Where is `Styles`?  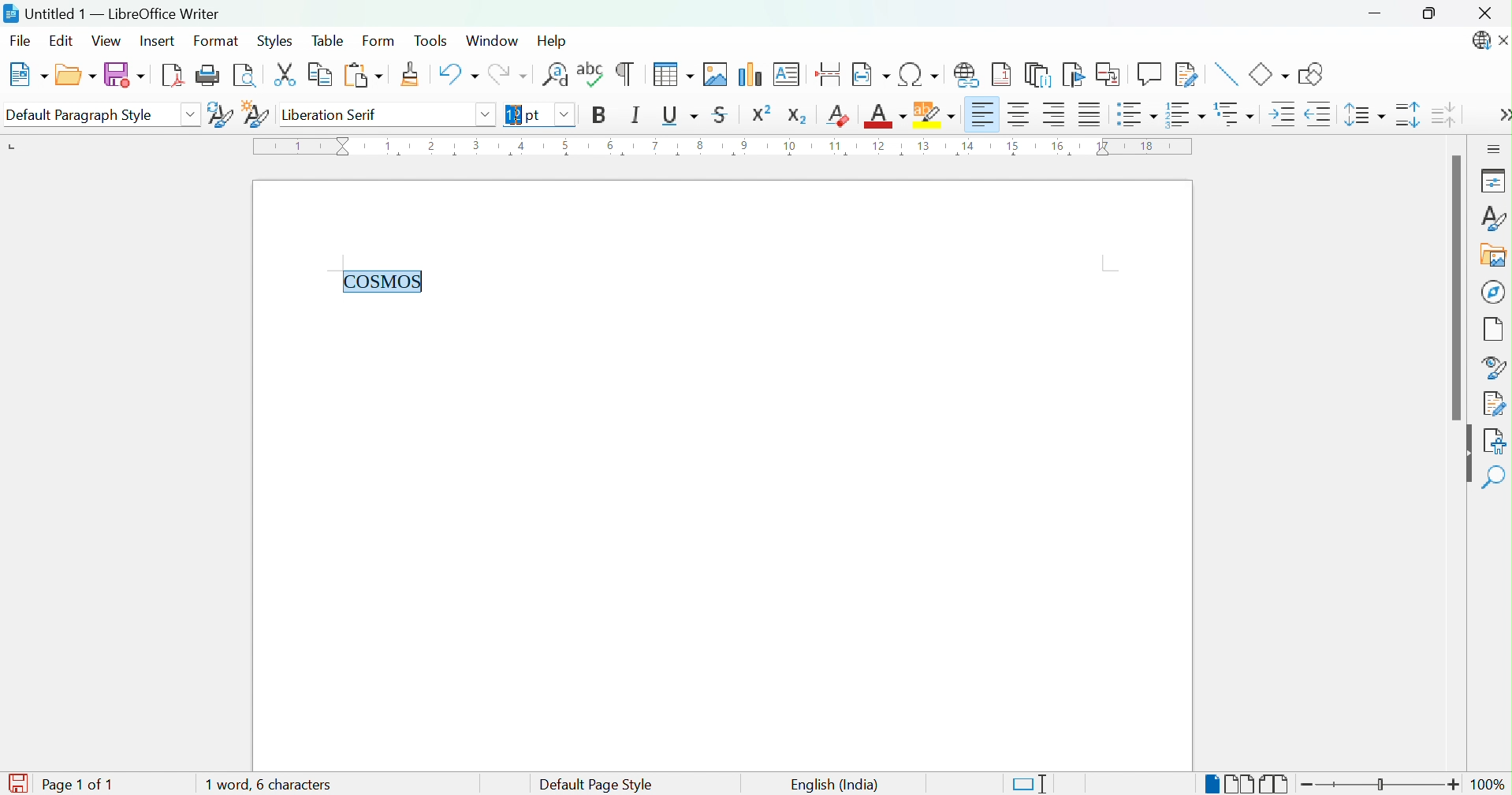 Styles is located at coordinates (1492, 218).